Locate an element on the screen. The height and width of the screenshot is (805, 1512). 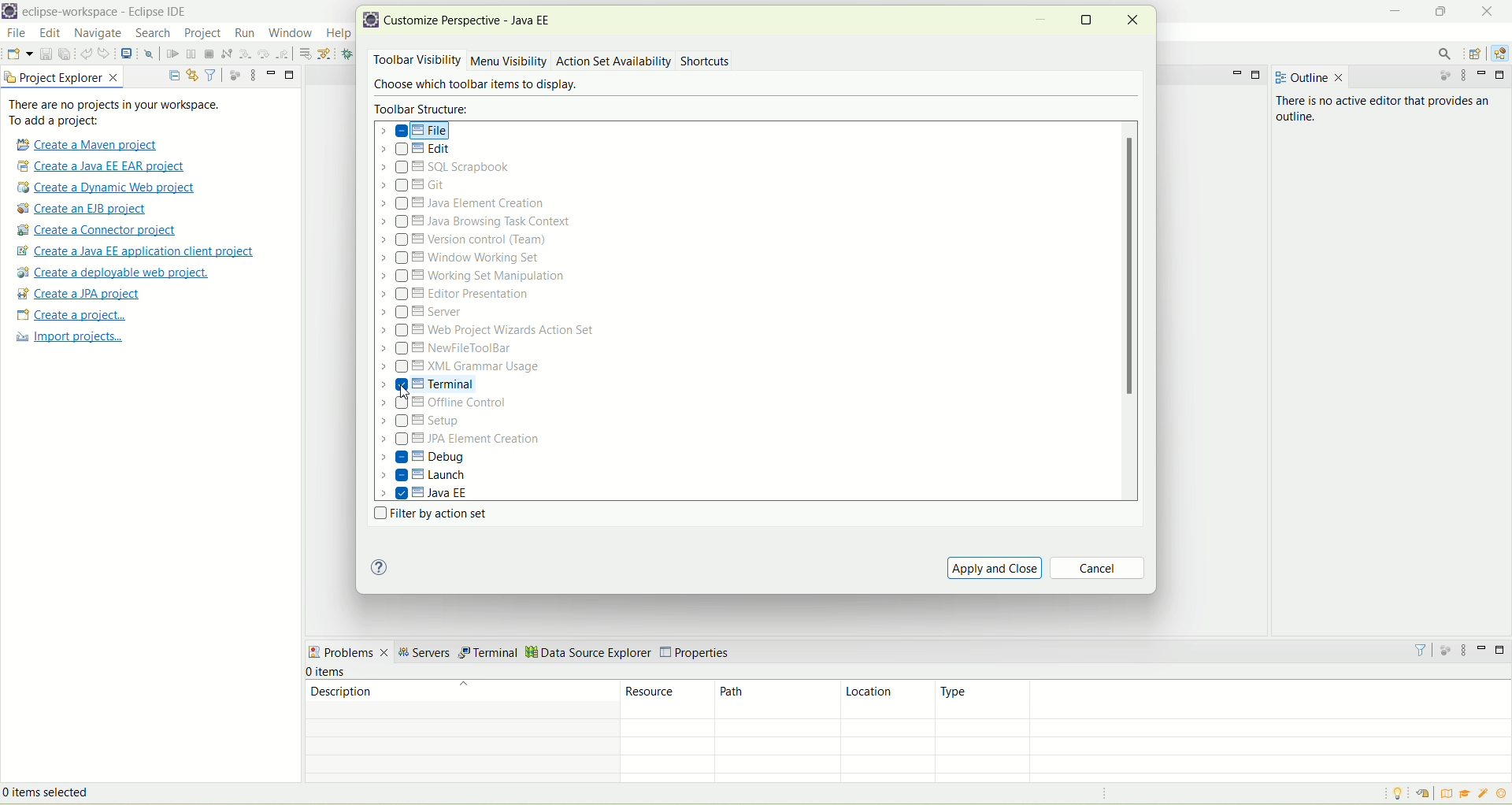
project explorer is located at coordinates (62, 77).